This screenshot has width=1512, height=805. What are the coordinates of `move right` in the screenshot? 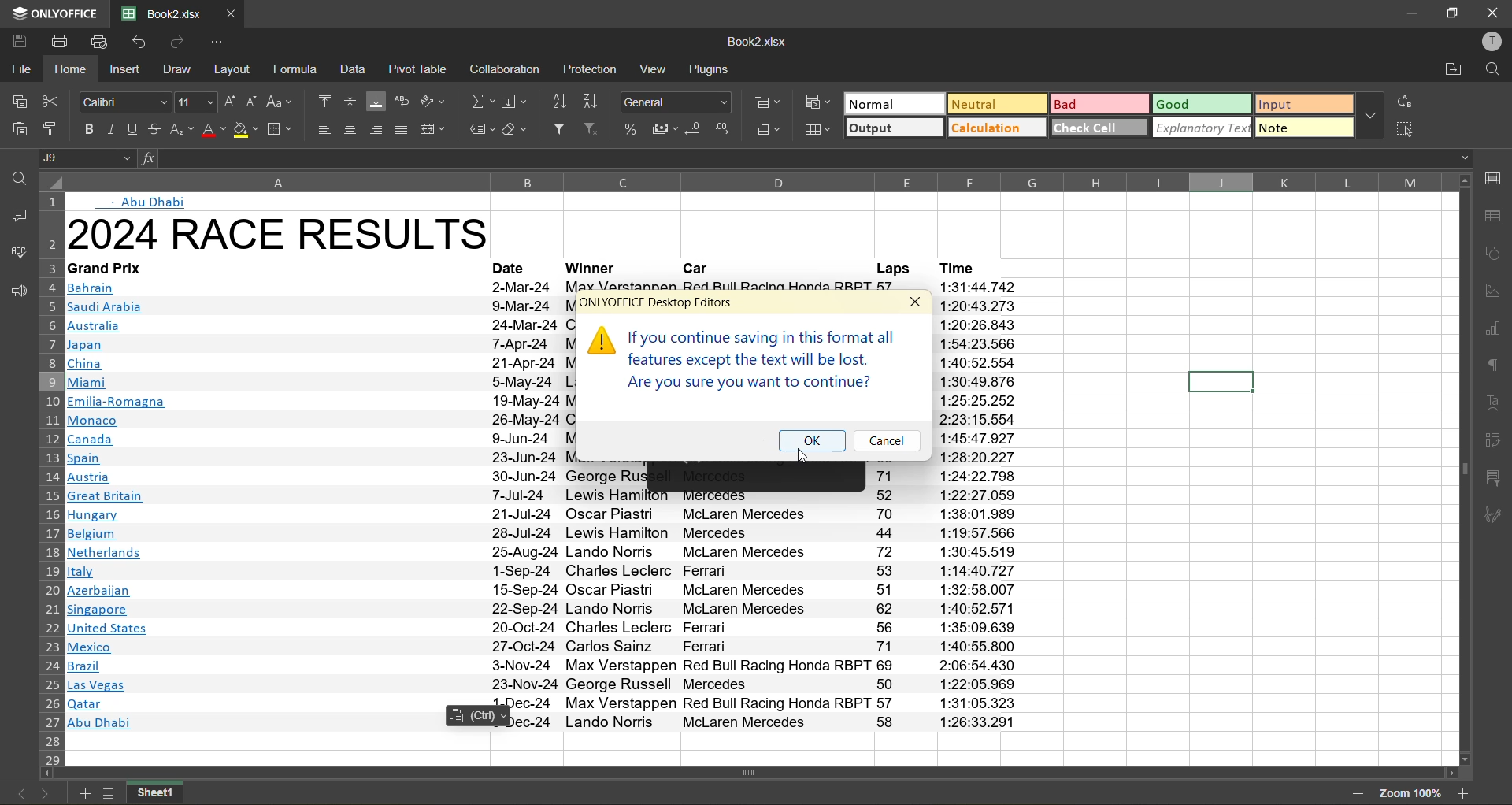 It's located at (1450, 774).